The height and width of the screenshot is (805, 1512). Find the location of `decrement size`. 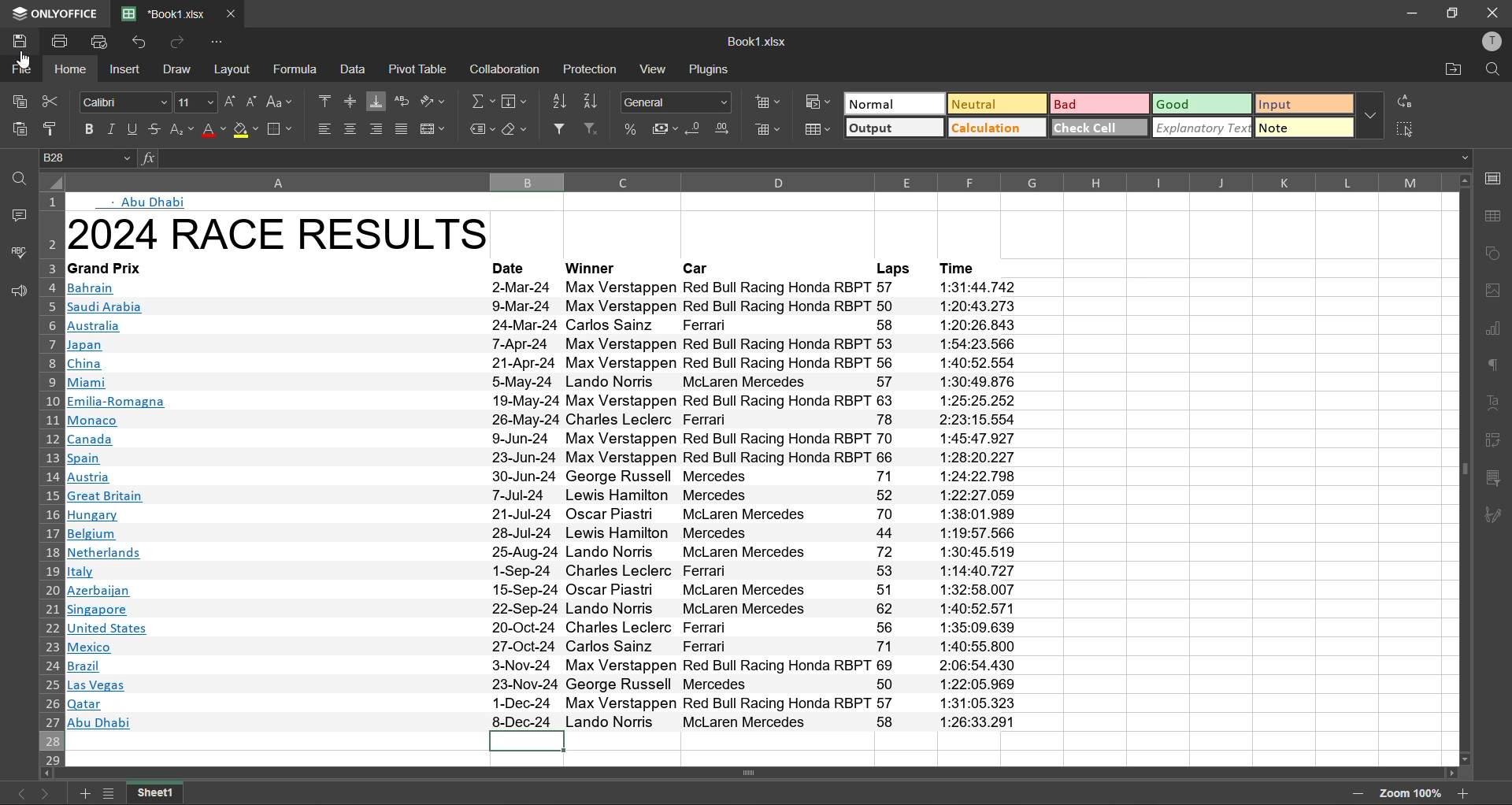

decrement size is located at coordinates (254, 103).